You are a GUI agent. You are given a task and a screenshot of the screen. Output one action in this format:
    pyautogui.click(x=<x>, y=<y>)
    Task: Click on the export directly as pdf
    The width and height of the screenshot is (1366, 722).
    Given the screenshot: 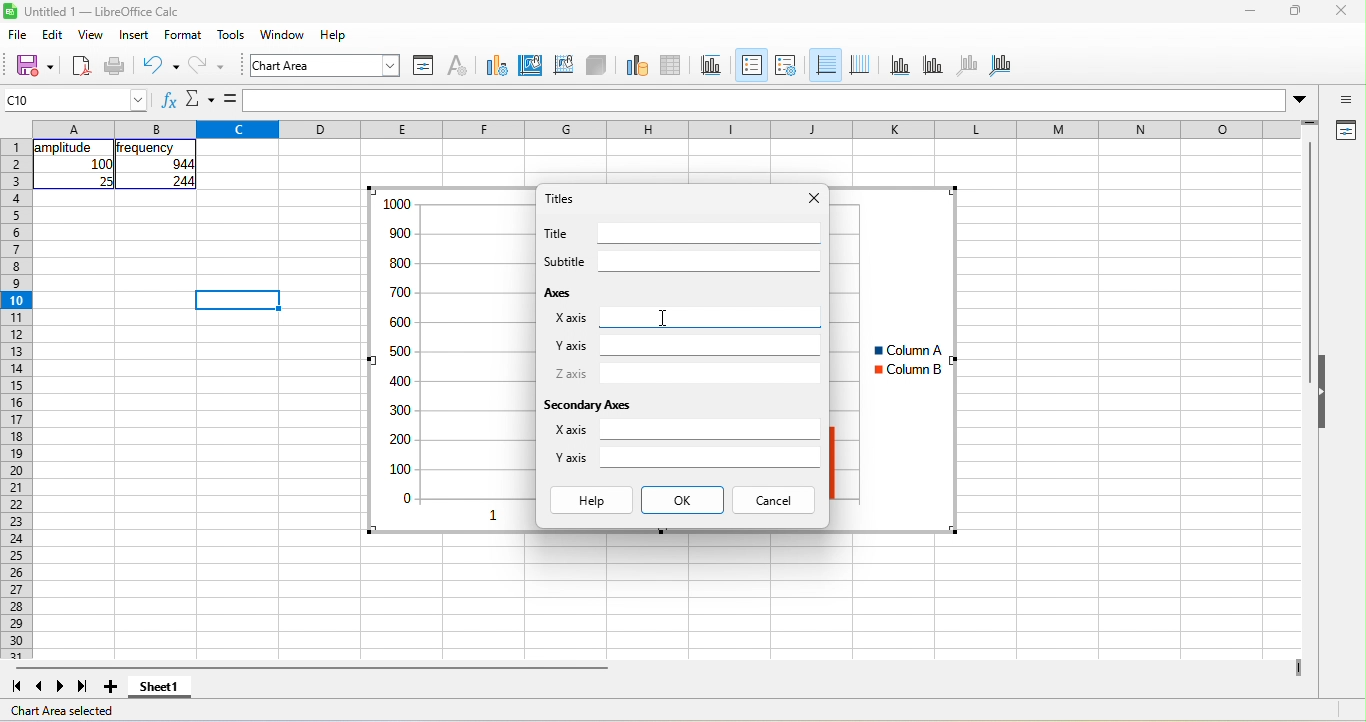 What is the action you would take?
    pyautogui.click(x=81, y=67)
    